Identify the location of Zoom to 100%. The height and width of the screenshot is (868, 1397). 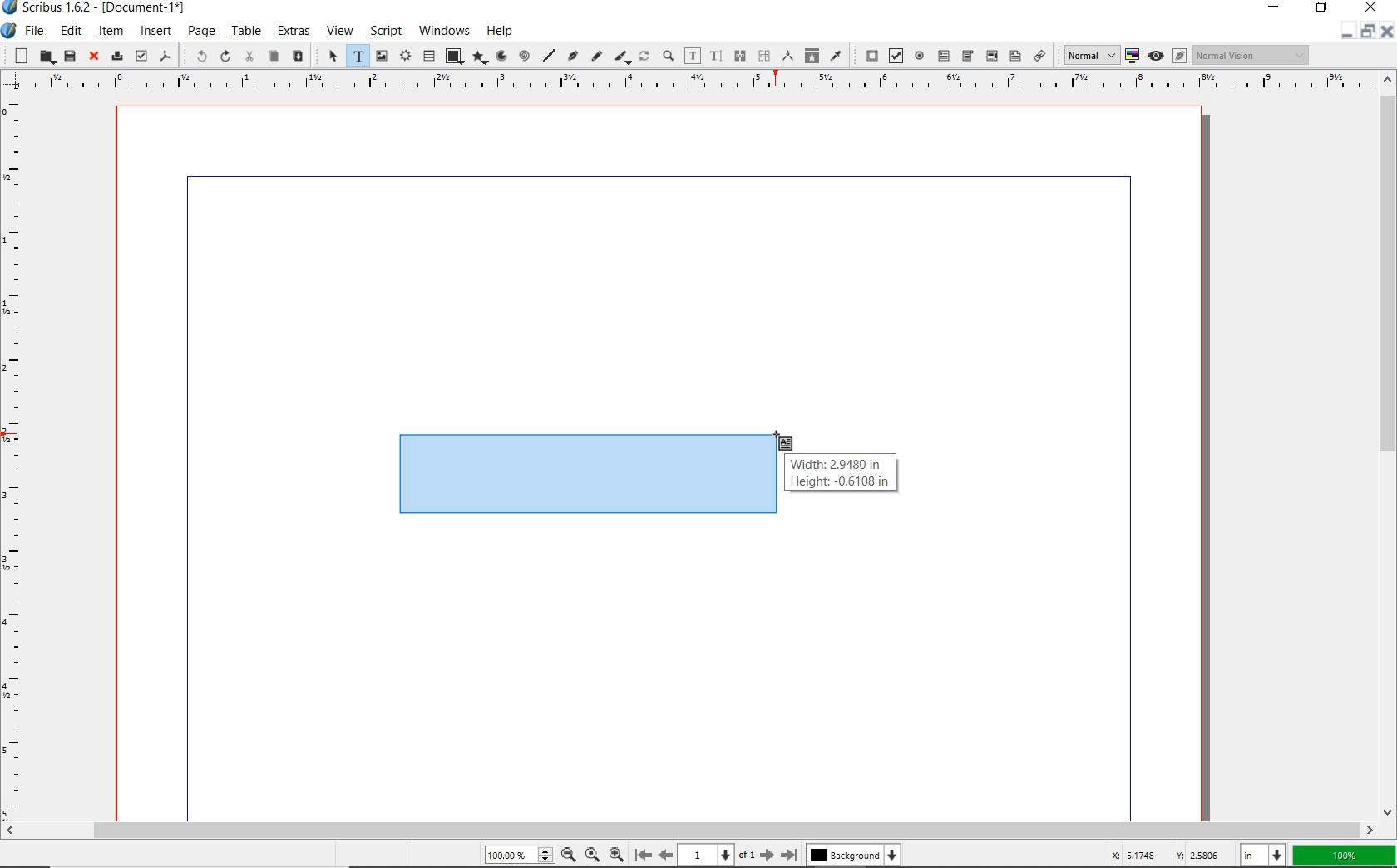
(590, 854).